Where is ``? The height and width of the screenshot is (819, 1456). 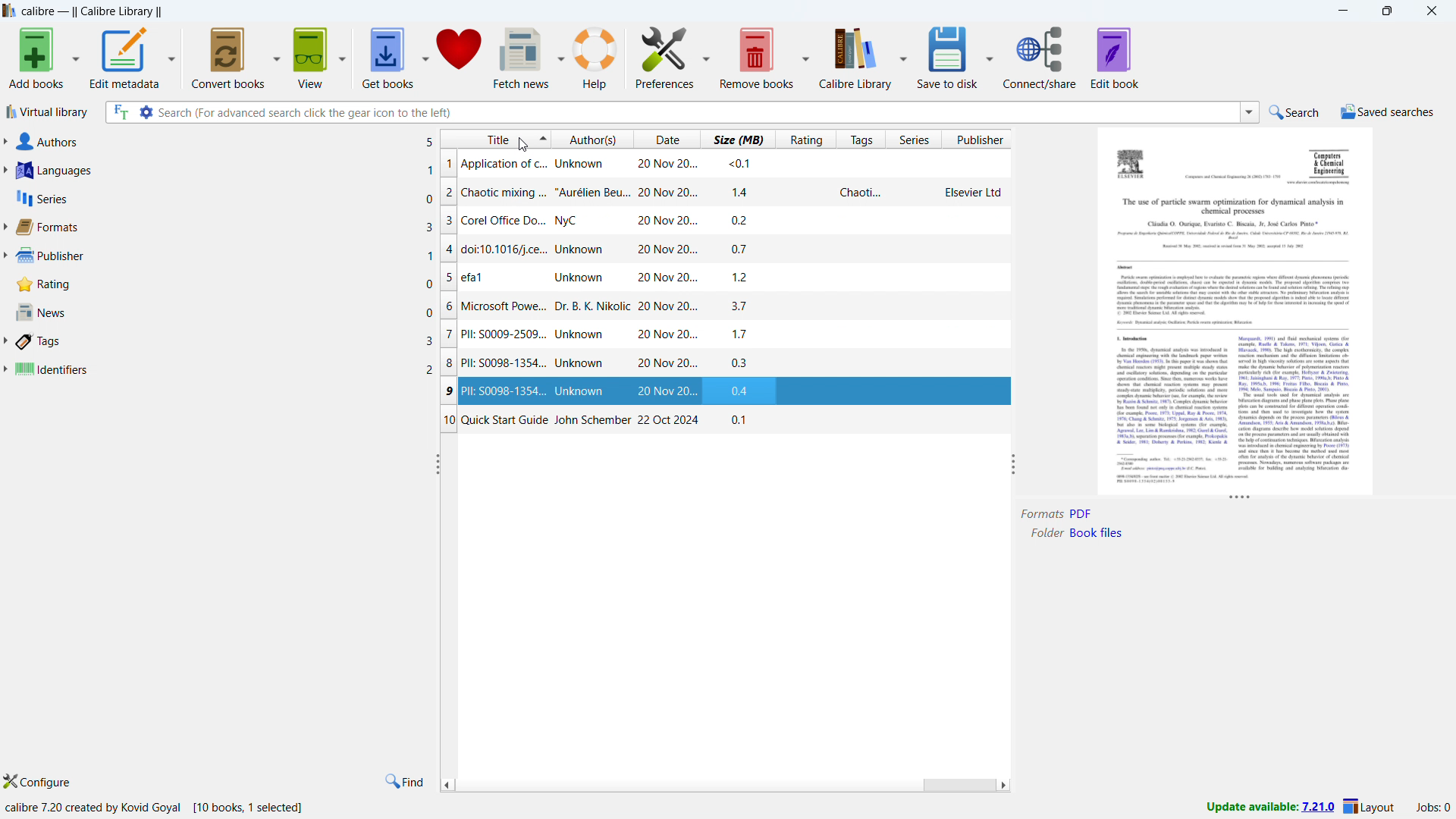
 is located at coordinates (1232, 241).